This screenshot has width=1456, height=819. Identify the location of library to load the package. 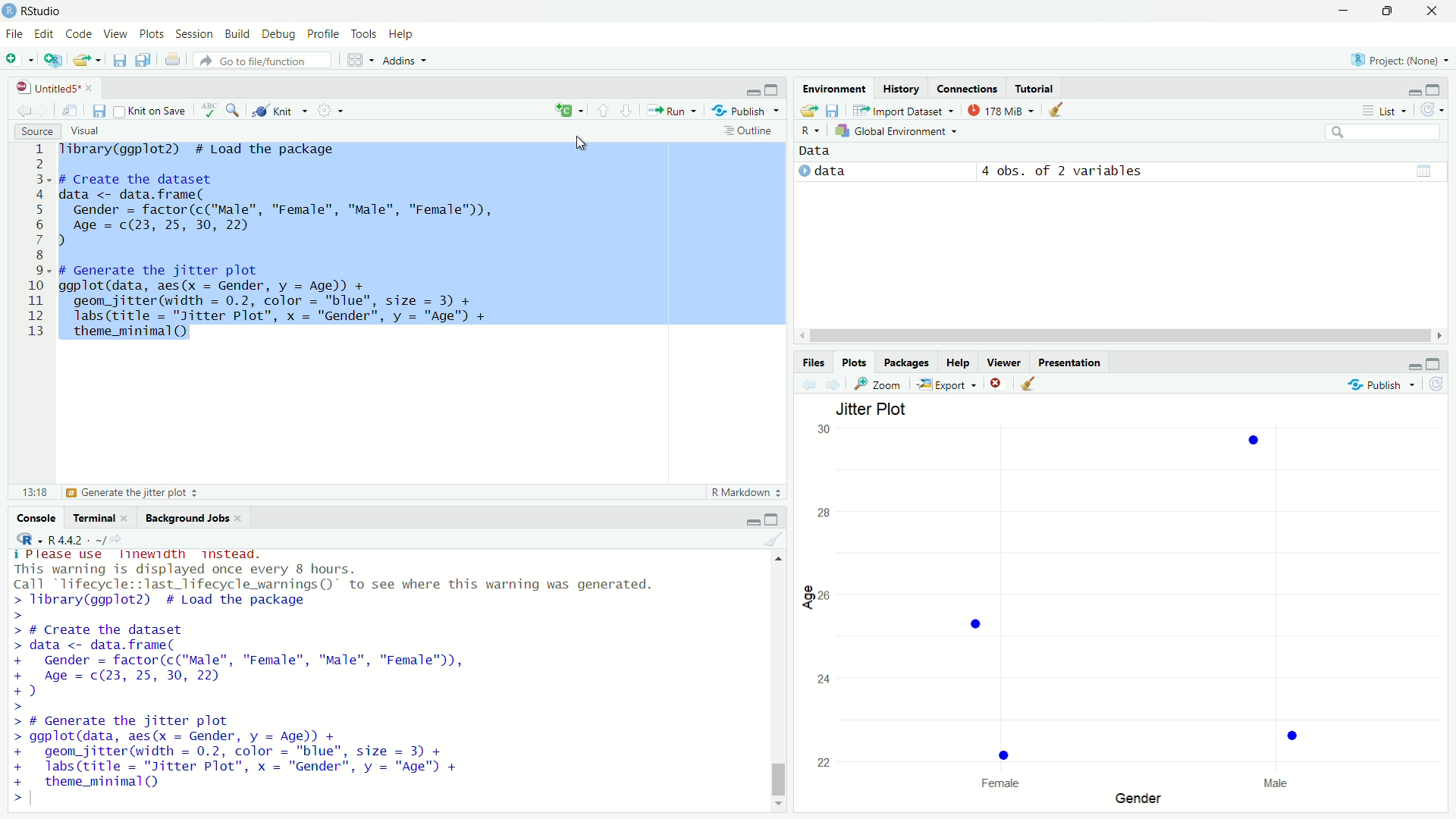
(207, 149).